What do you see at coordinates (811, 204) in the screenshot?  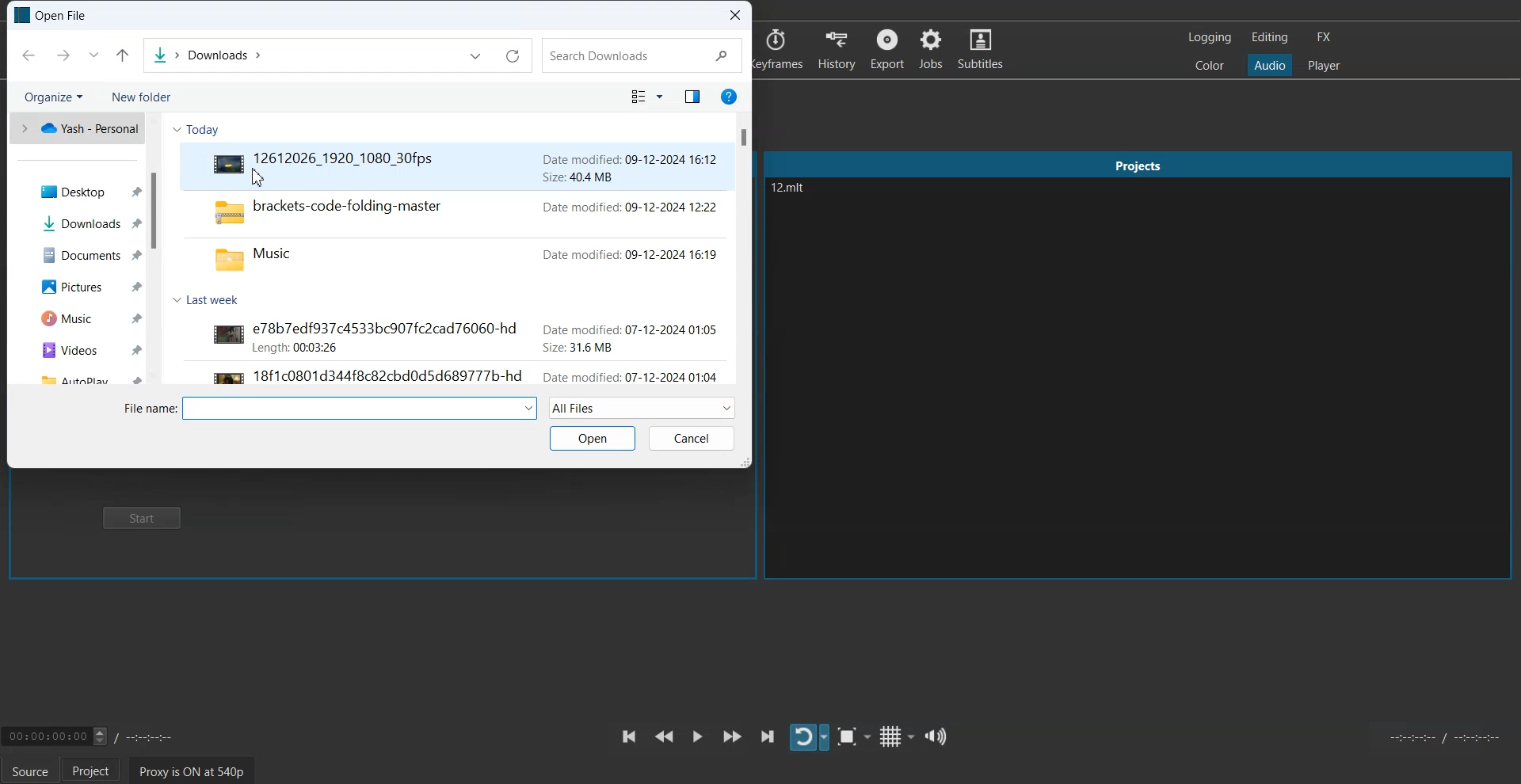 I see `Text 1` at bounding box center [811, 204].